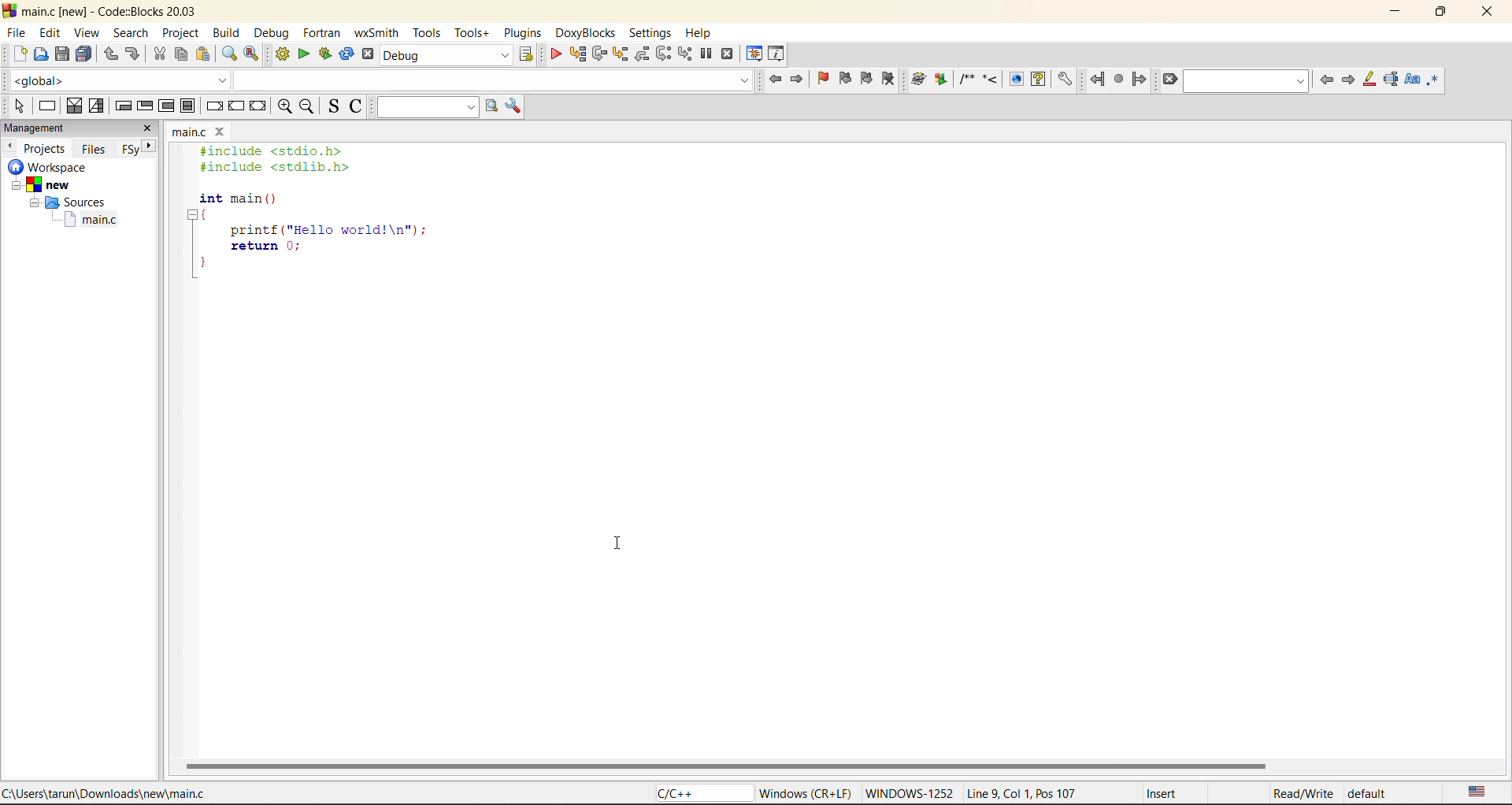 The height and width of the screenshot is (805, 1512). What do you see at coordinates (1039, 80) in the screenshot?
I see `Run HTML Help documentation` at bounding box center [1039, 80].